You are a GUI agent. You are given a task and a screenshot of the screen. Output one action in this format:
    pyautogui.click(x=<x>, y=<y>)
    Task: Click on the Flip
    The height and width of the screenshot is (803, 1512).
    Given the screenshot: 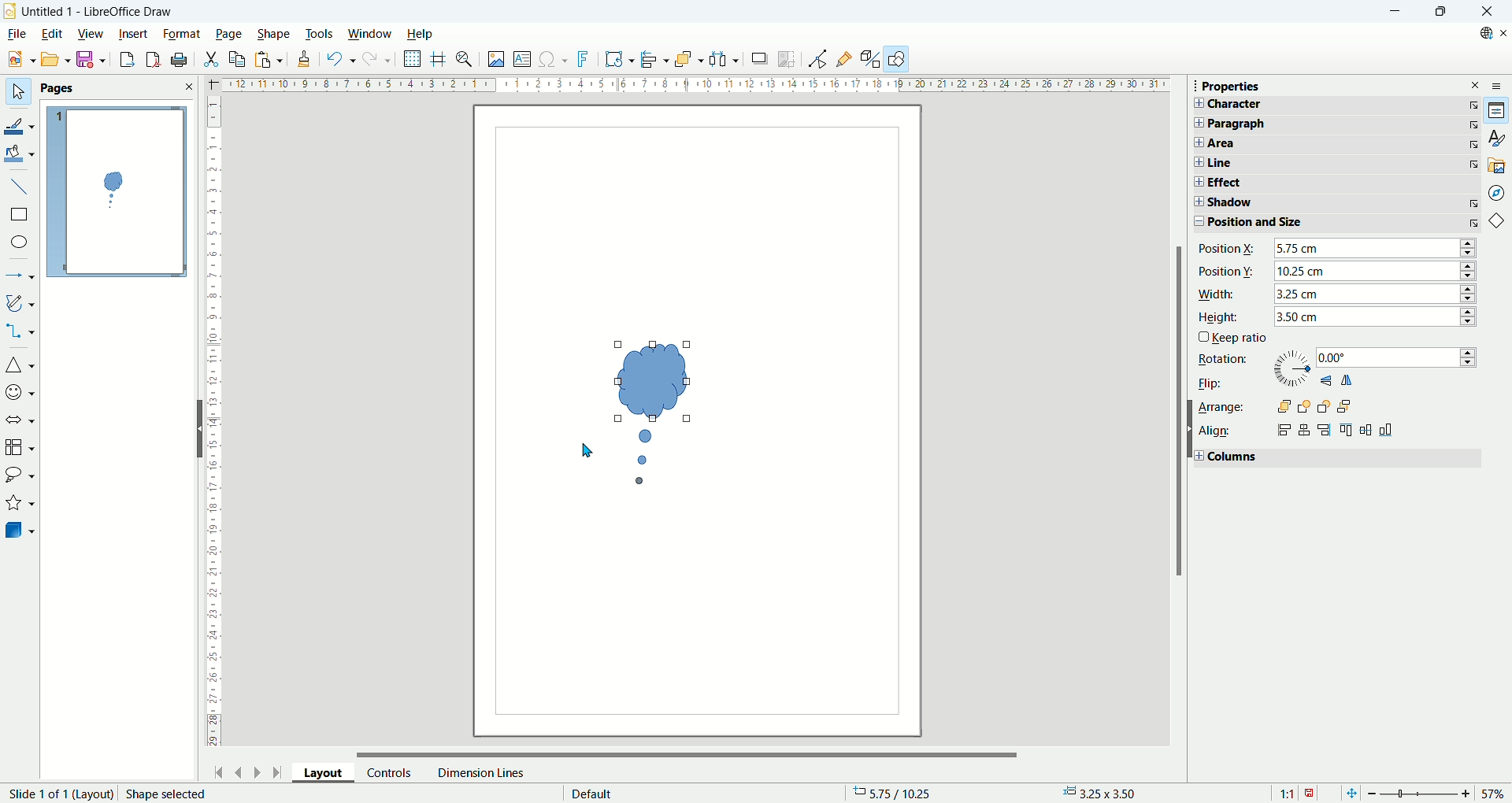 What is the action you would take?
    pyautogui.click(x=1207, y=382)
    